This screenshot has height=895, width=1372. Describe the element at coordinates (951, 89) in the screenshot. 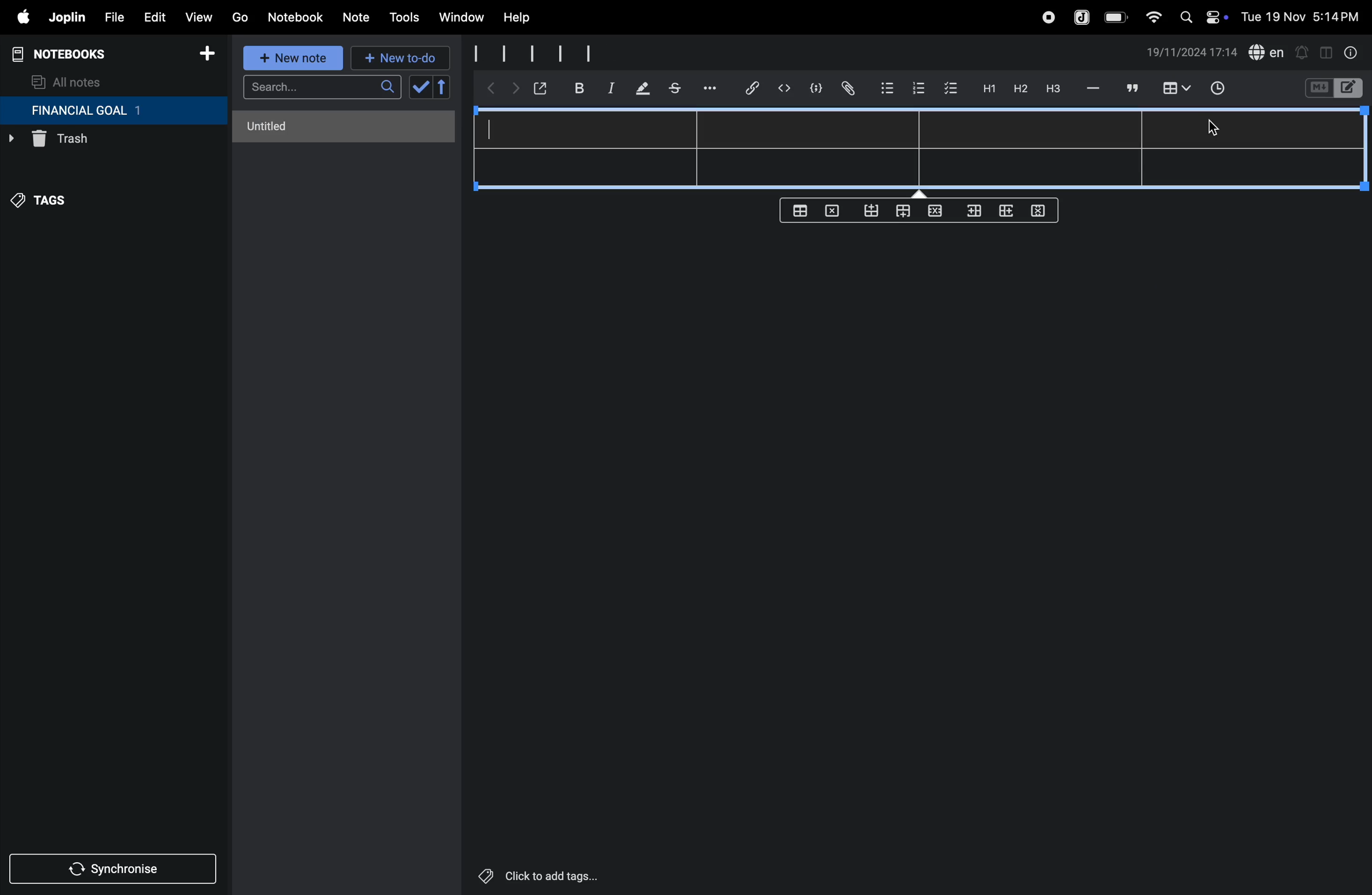

I see `check box` at that location.